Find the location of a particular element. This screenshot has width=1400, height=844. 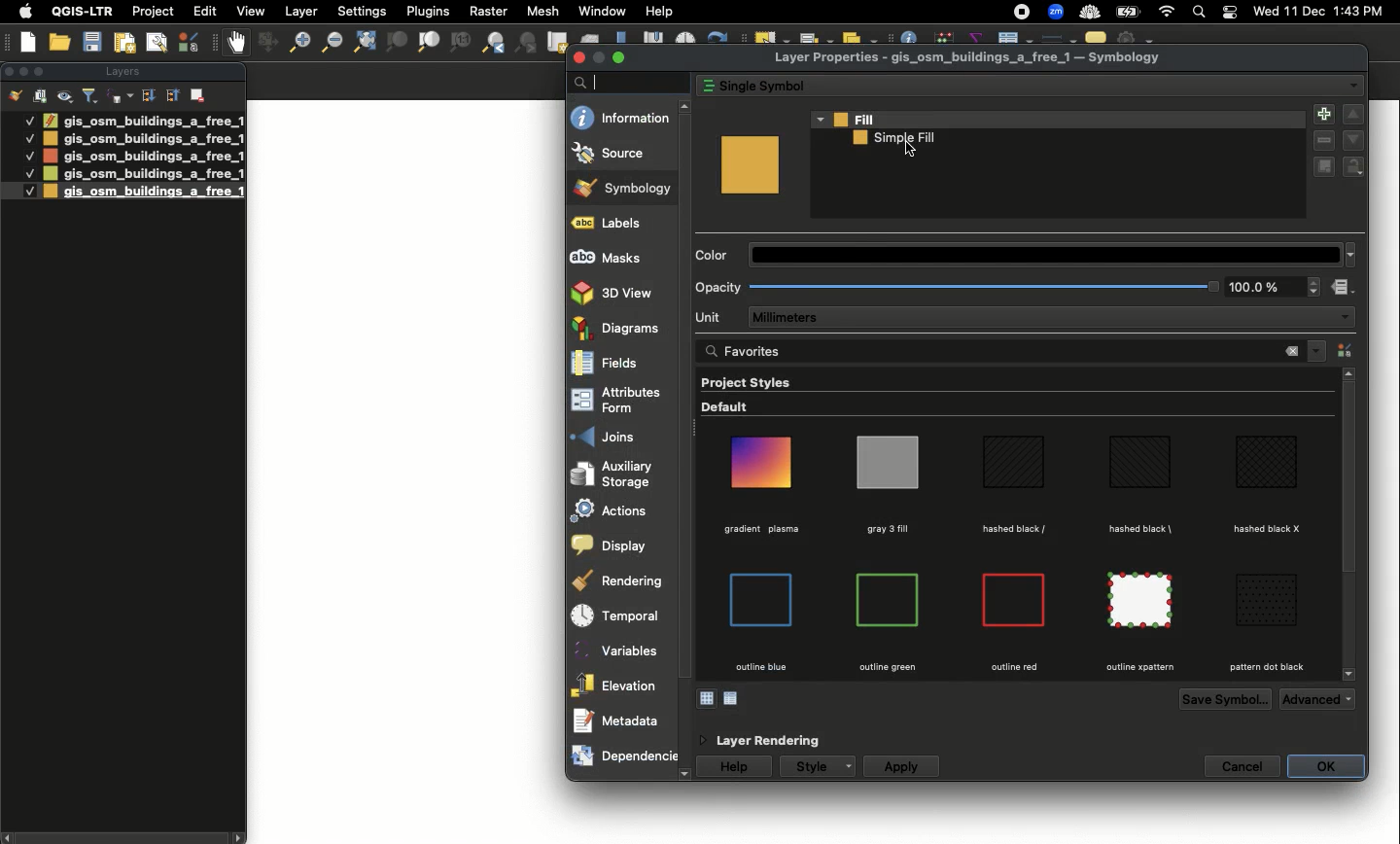

maximize is located at coordinates (619, 56).